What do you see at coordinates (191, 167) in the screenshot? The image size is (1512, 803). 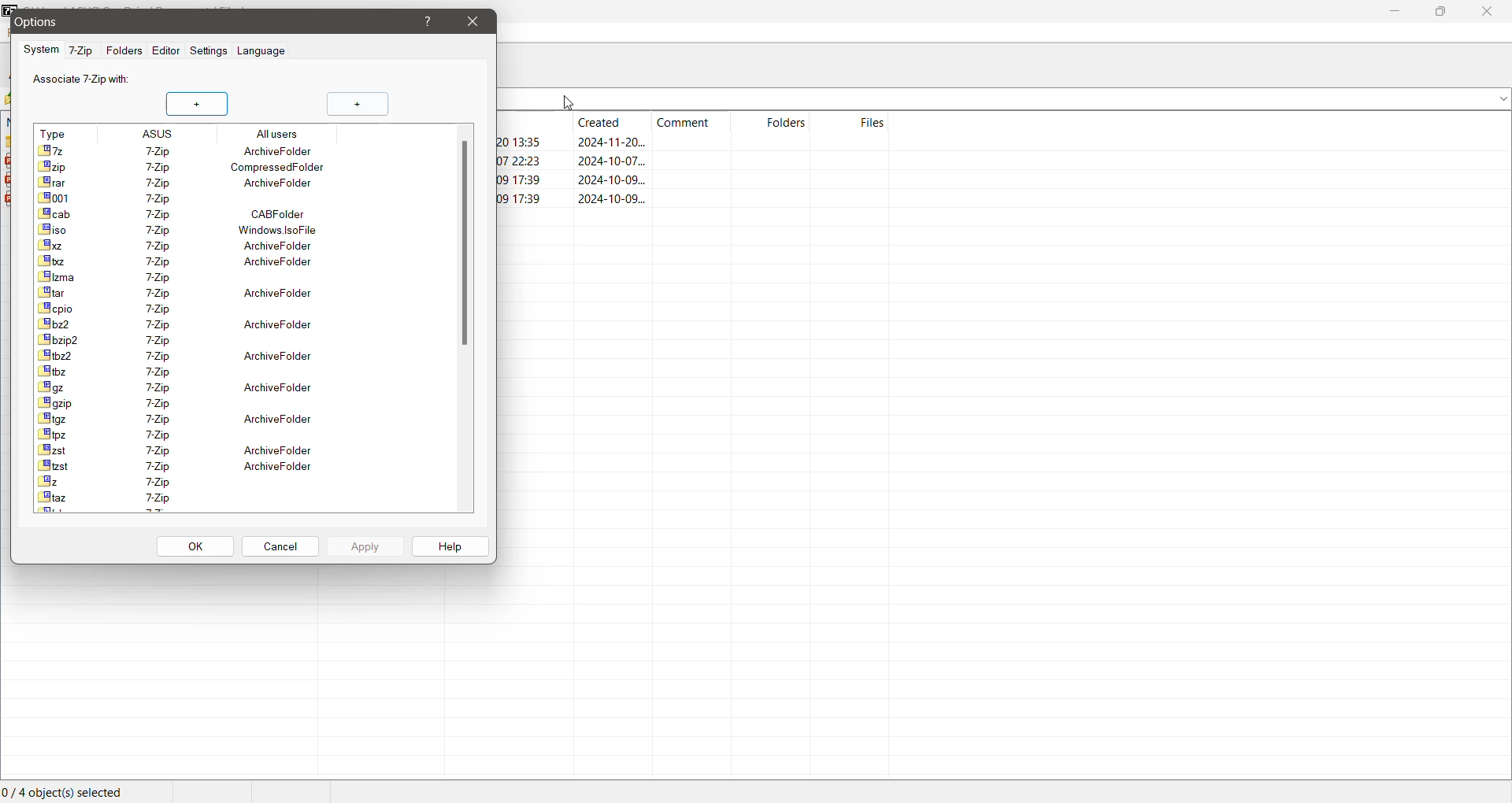 I see `Compresses folder` at bounding box center [191, 167].